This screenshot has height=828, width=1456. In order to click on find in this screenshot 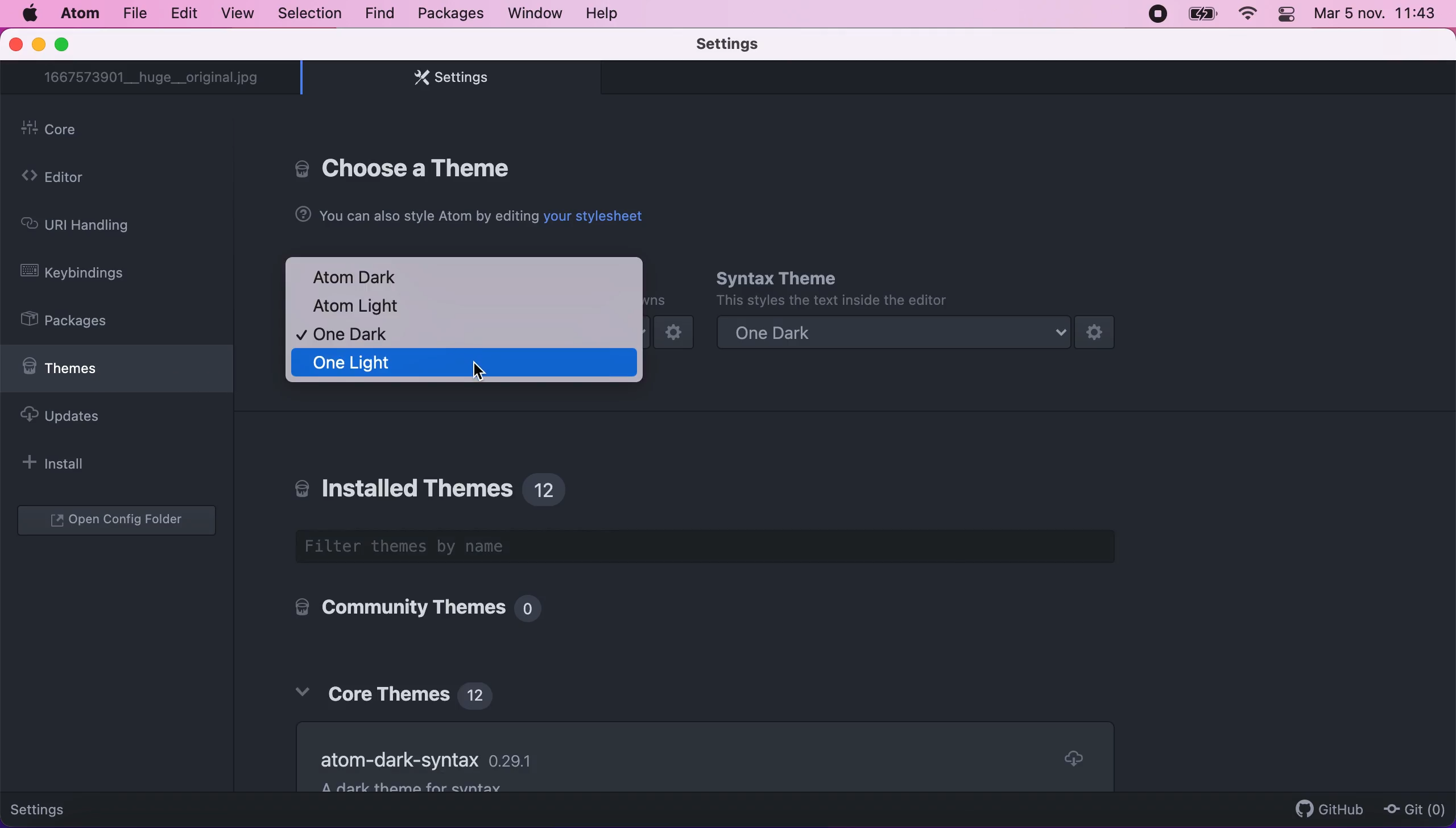, I will do `click(377, 13)`.